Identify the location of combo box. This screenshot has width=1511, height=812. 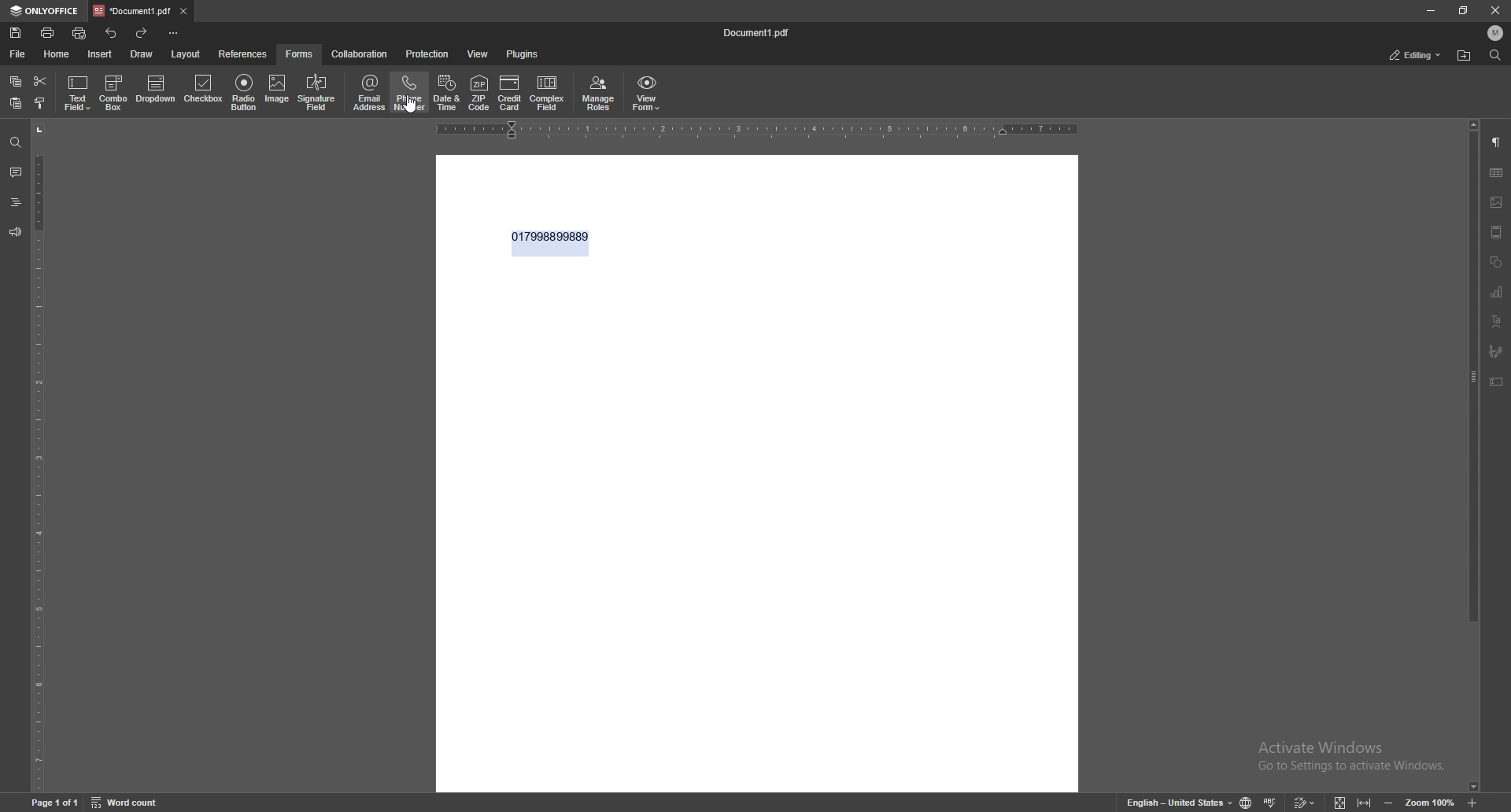
(114, 91).